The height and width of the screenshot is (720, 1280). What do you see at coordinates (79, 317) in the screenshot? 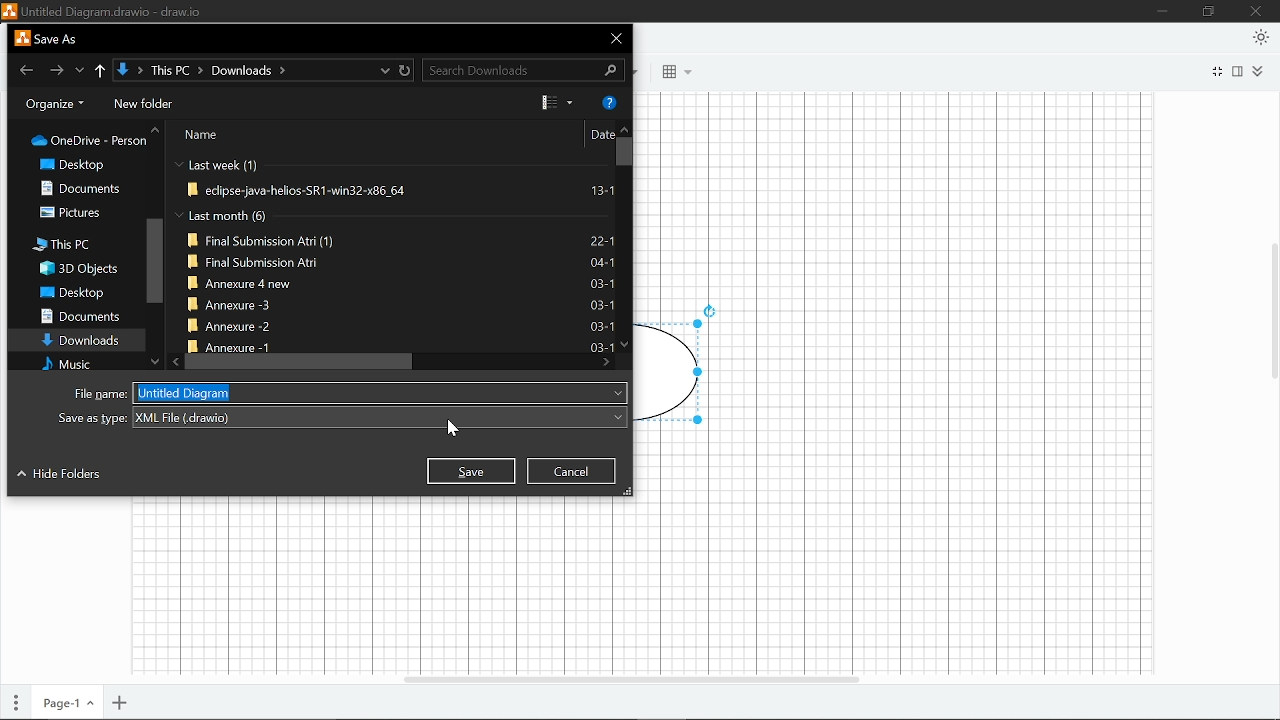
I see `Documents` at bounding box center [79, 317].